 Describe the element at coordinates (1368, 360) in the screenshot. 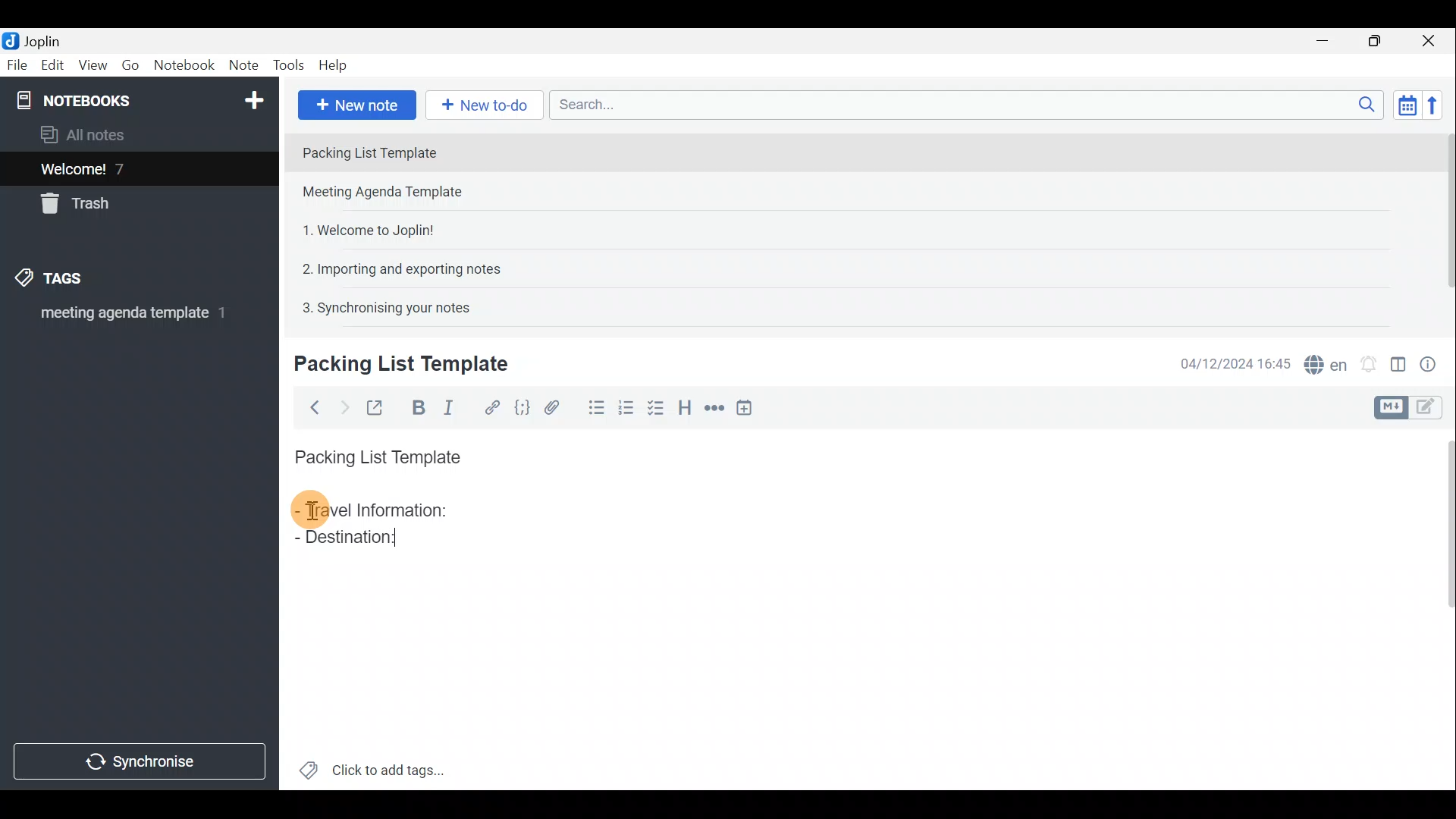

I see `Set alarm` at that location.